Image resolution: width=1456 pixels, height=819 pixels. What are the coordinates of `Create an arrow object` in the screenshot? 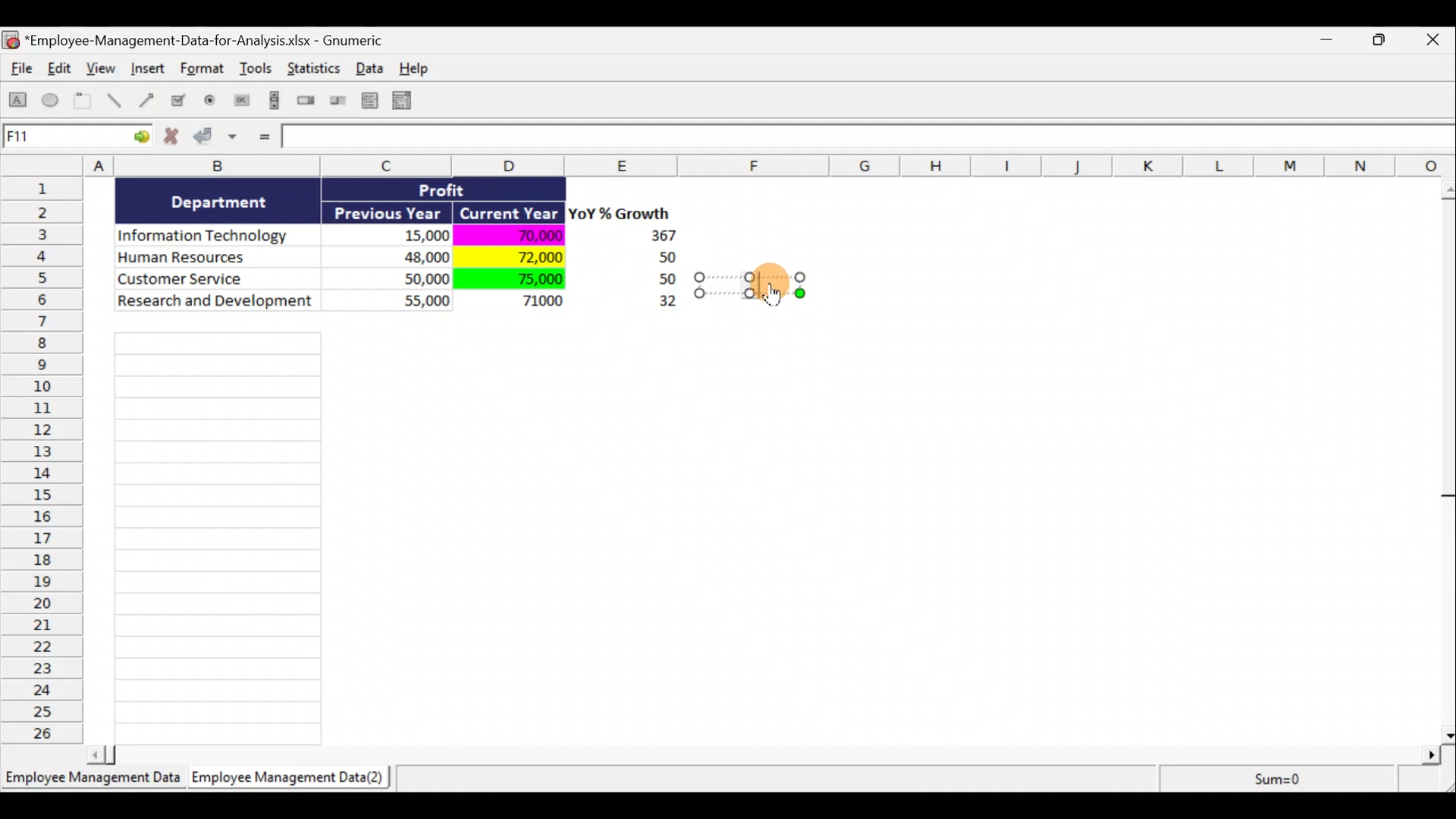 It's located at (146, 99).